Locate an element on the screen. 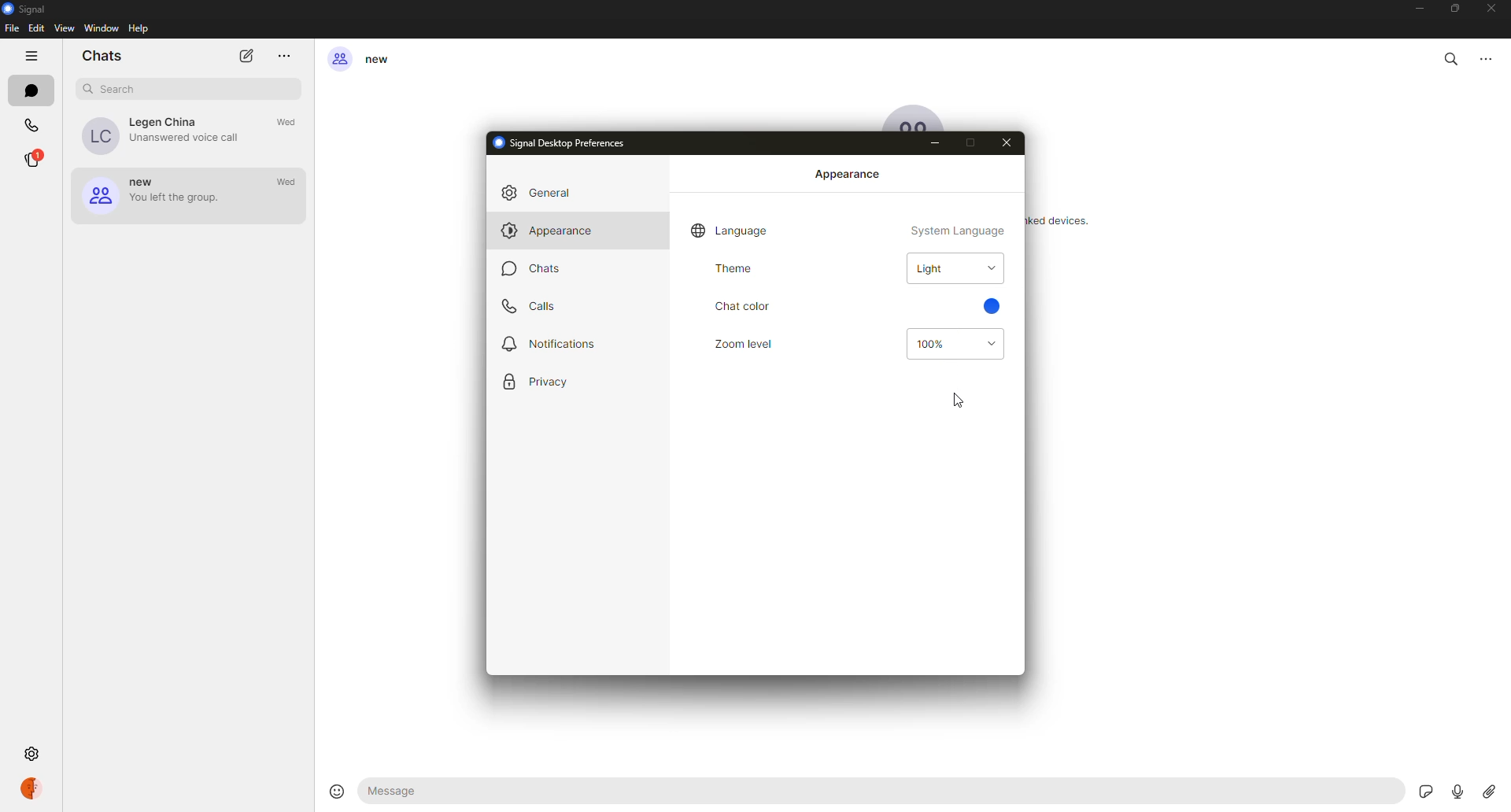  chats is located at coordinates (534, 271).